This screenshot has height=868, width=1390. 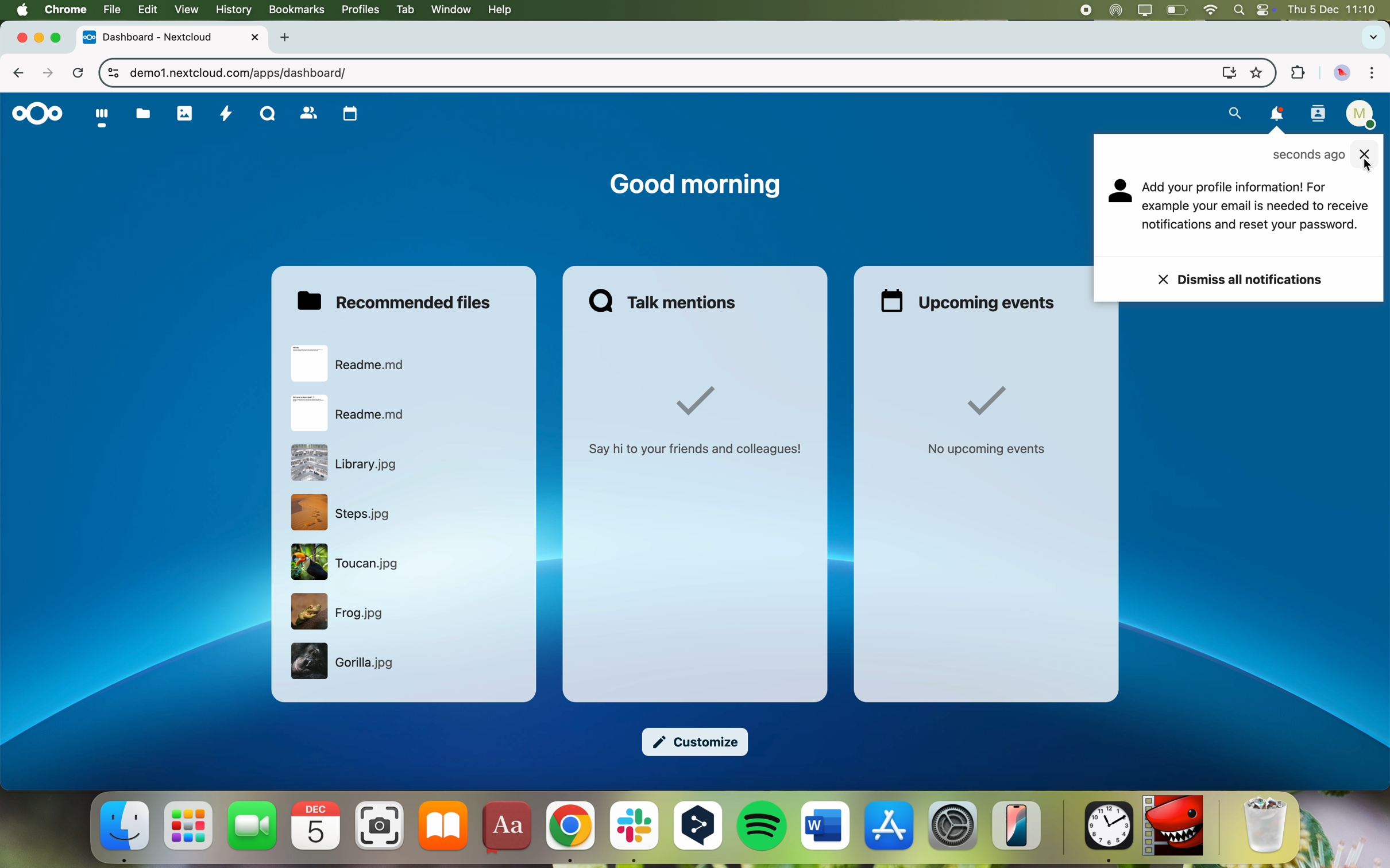 What do you see at coordinates (1017, 826) in the screenshot?
I see `iPhone mirroring` at bounding box center [1017, 826].